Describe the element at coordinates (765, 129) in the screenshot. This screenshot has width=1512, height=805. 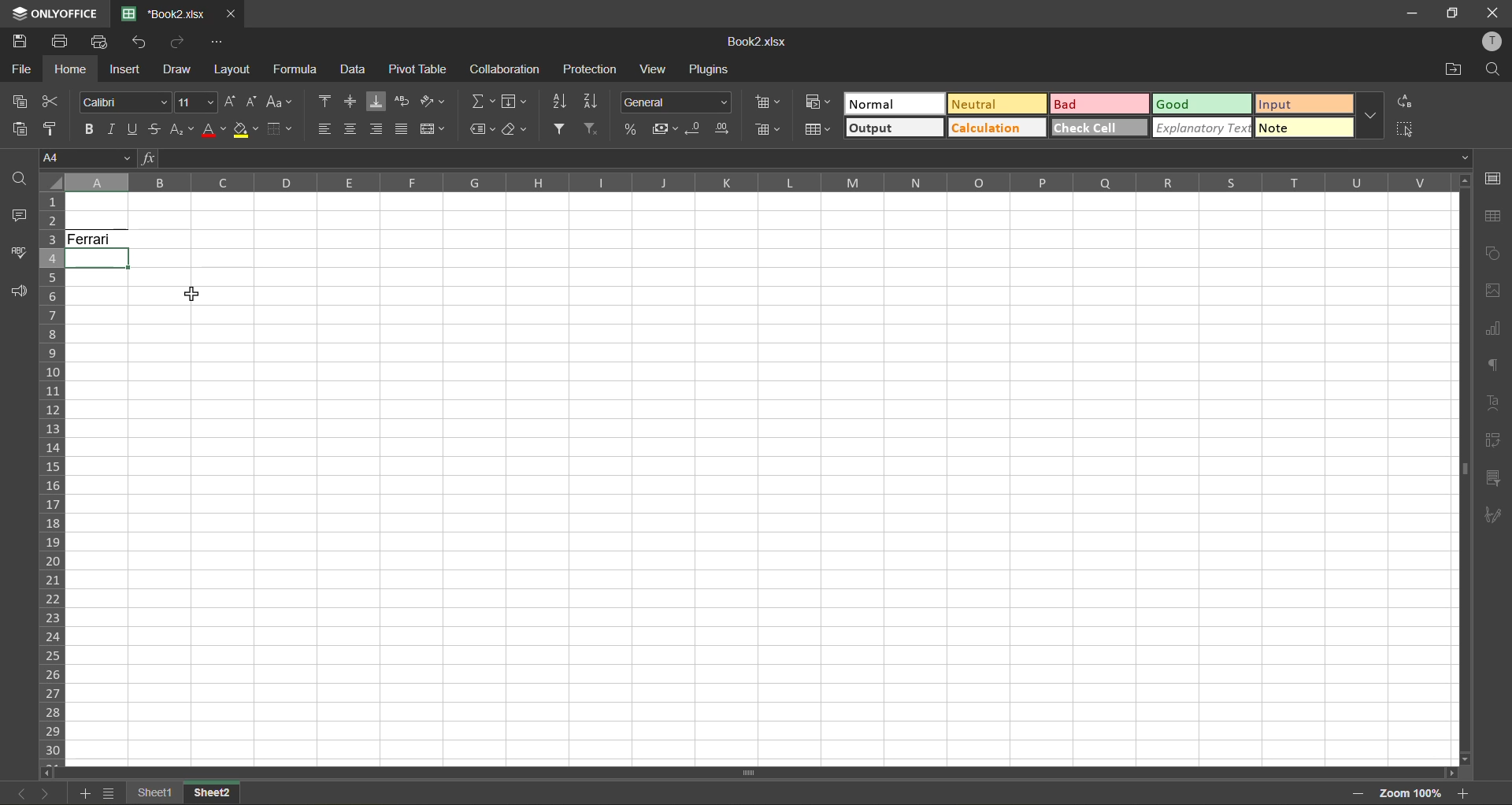
I see `delete cells` at that location.